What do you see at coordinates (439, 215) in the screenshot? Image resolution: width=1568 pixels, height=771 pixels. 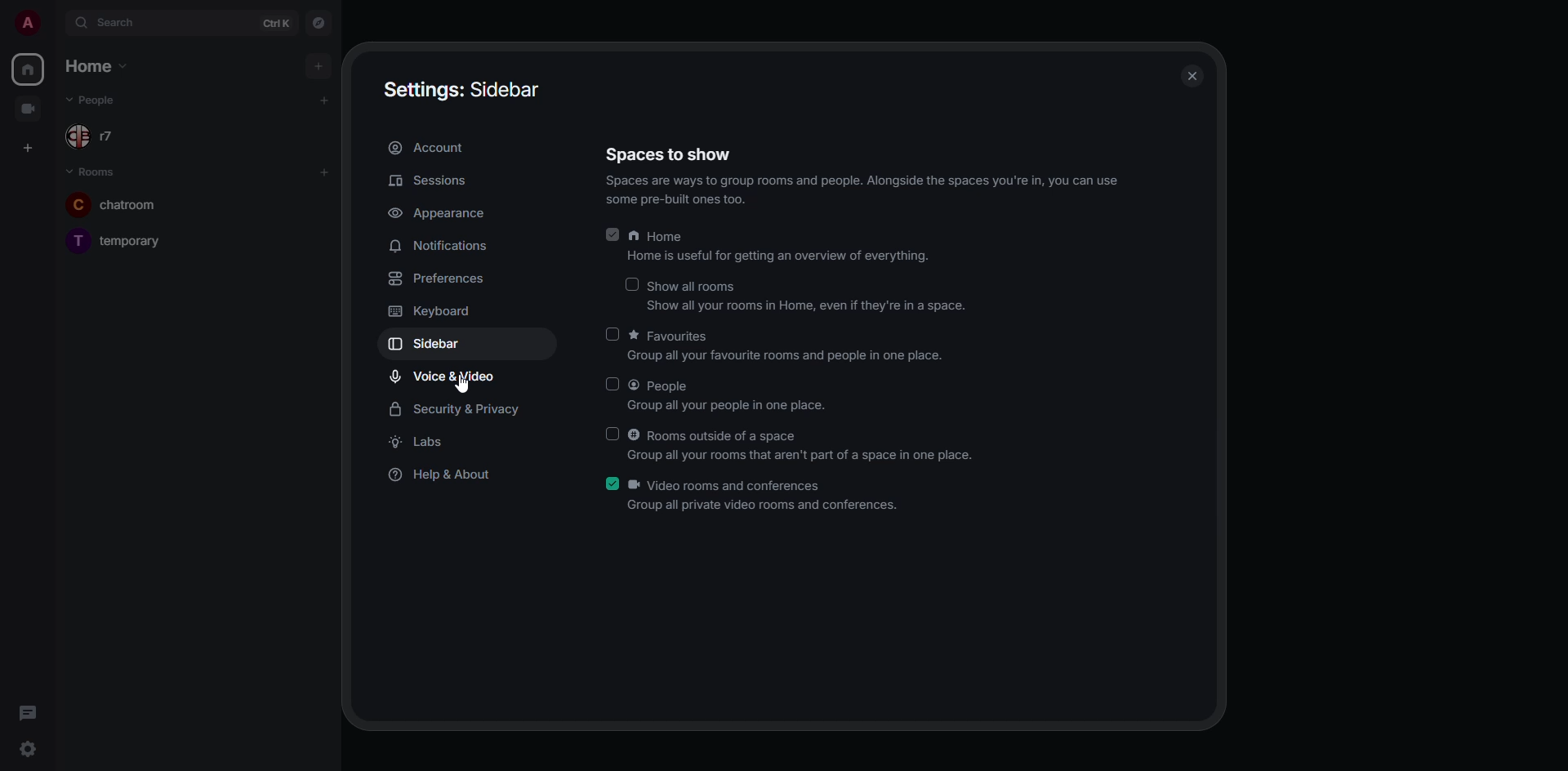 I see `appearance` at bounding box center [439, 215].